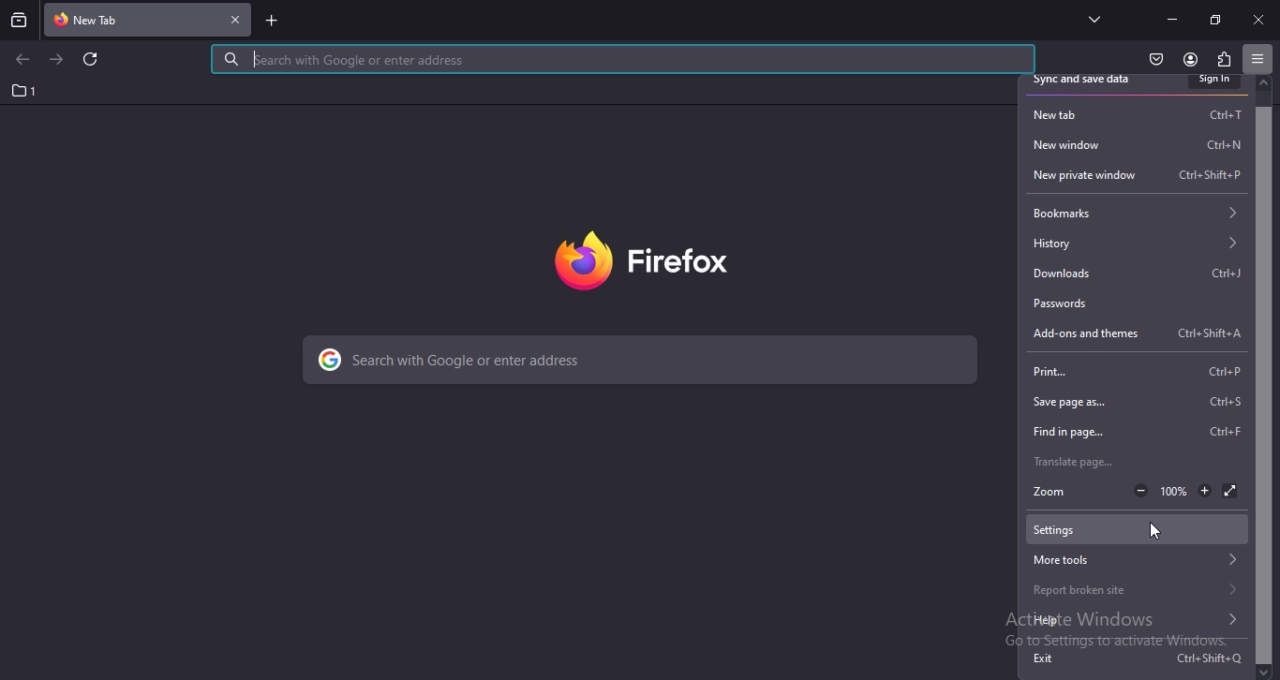 The image size is (1280, 680). I want to click on new private window, so click(1142, 175).